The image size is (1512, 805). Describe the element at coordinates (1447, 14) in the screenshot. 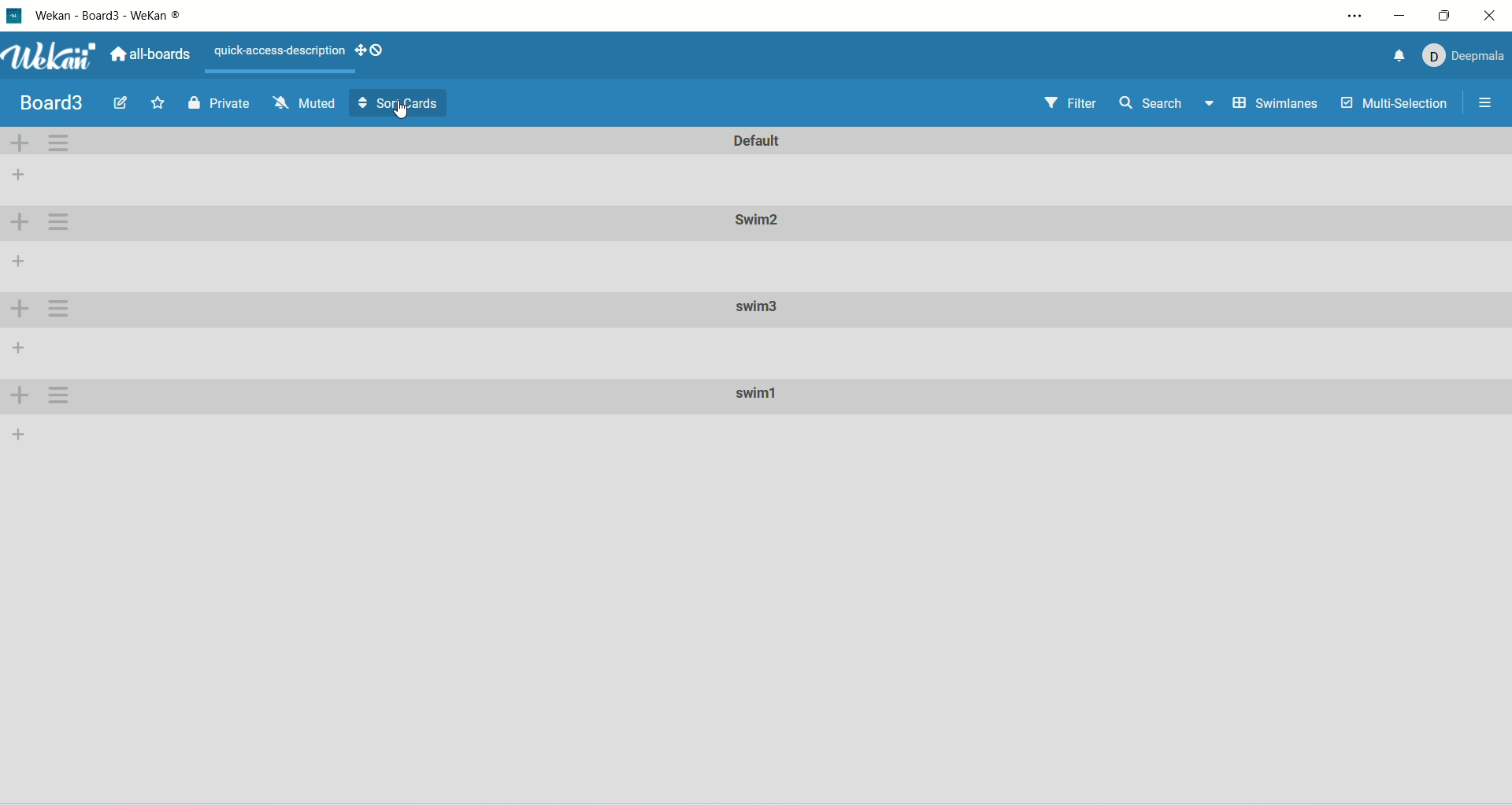

I see `maximize` at that location.